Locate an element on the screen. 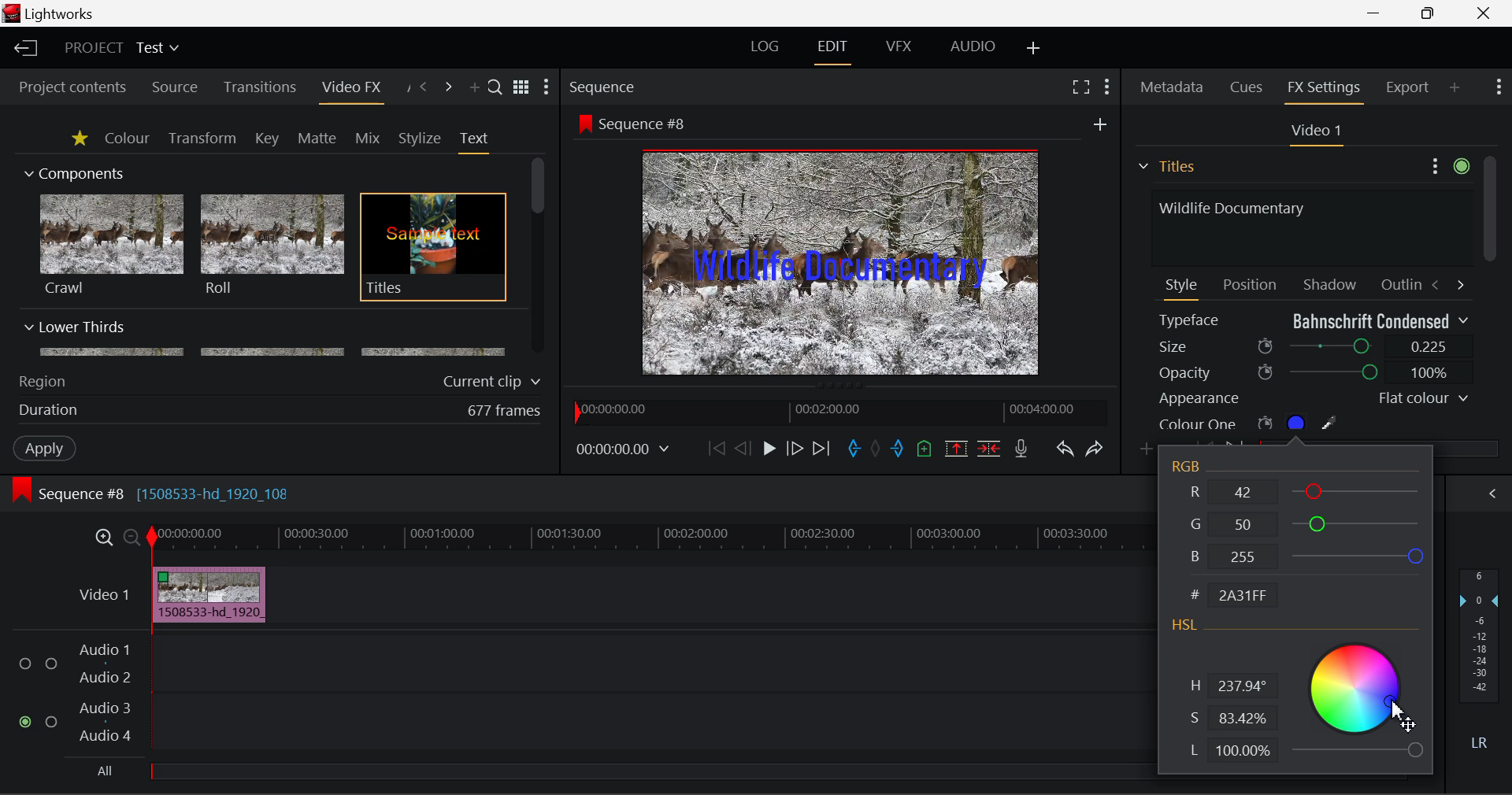 Image resolution: width=1512 pixels, height=795 pixels. icon is located at coordinates (584, 123).